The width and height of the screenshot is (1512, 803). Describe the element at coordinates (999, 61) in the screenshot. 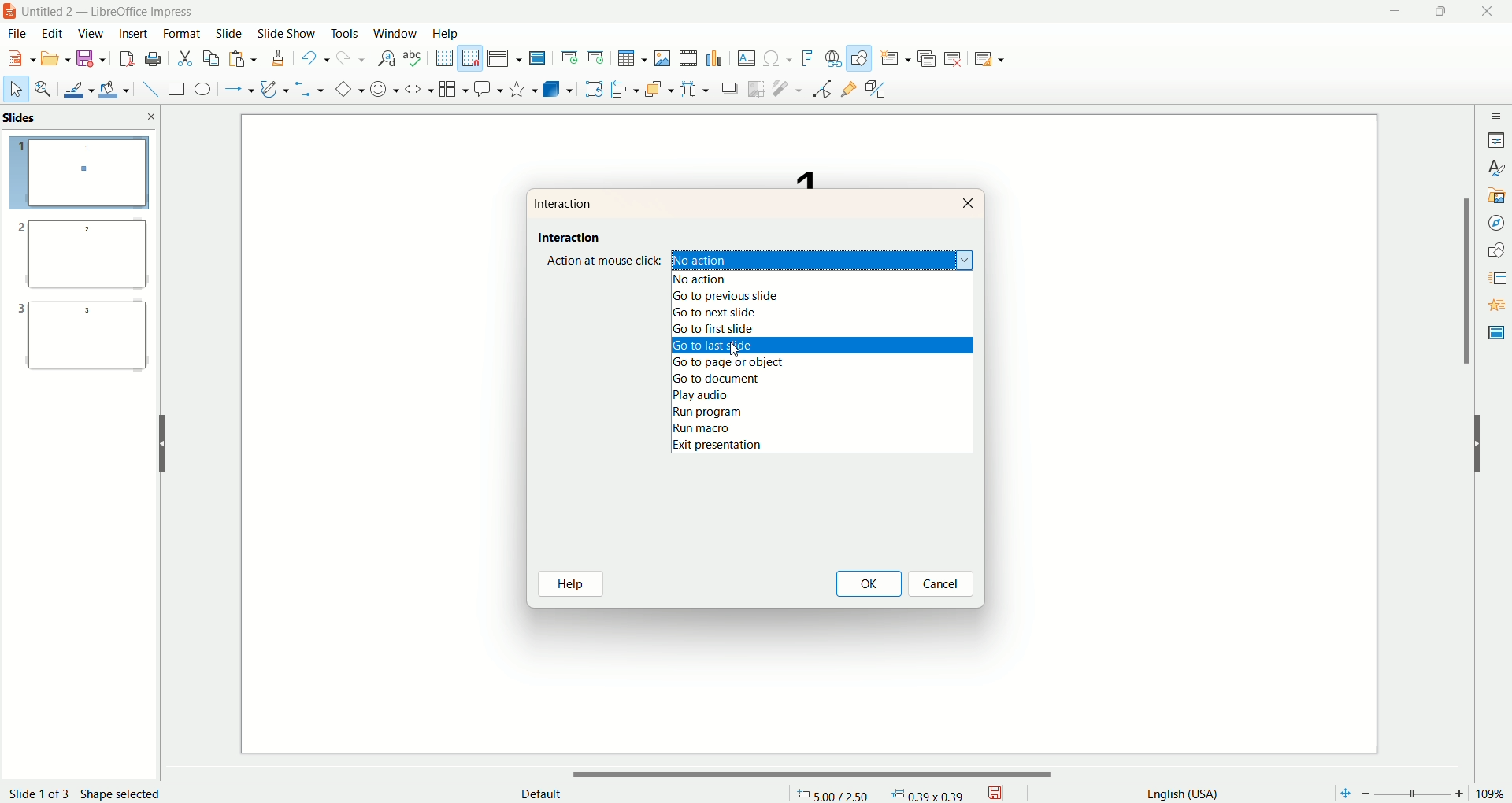

I see `slide layout` at that location.